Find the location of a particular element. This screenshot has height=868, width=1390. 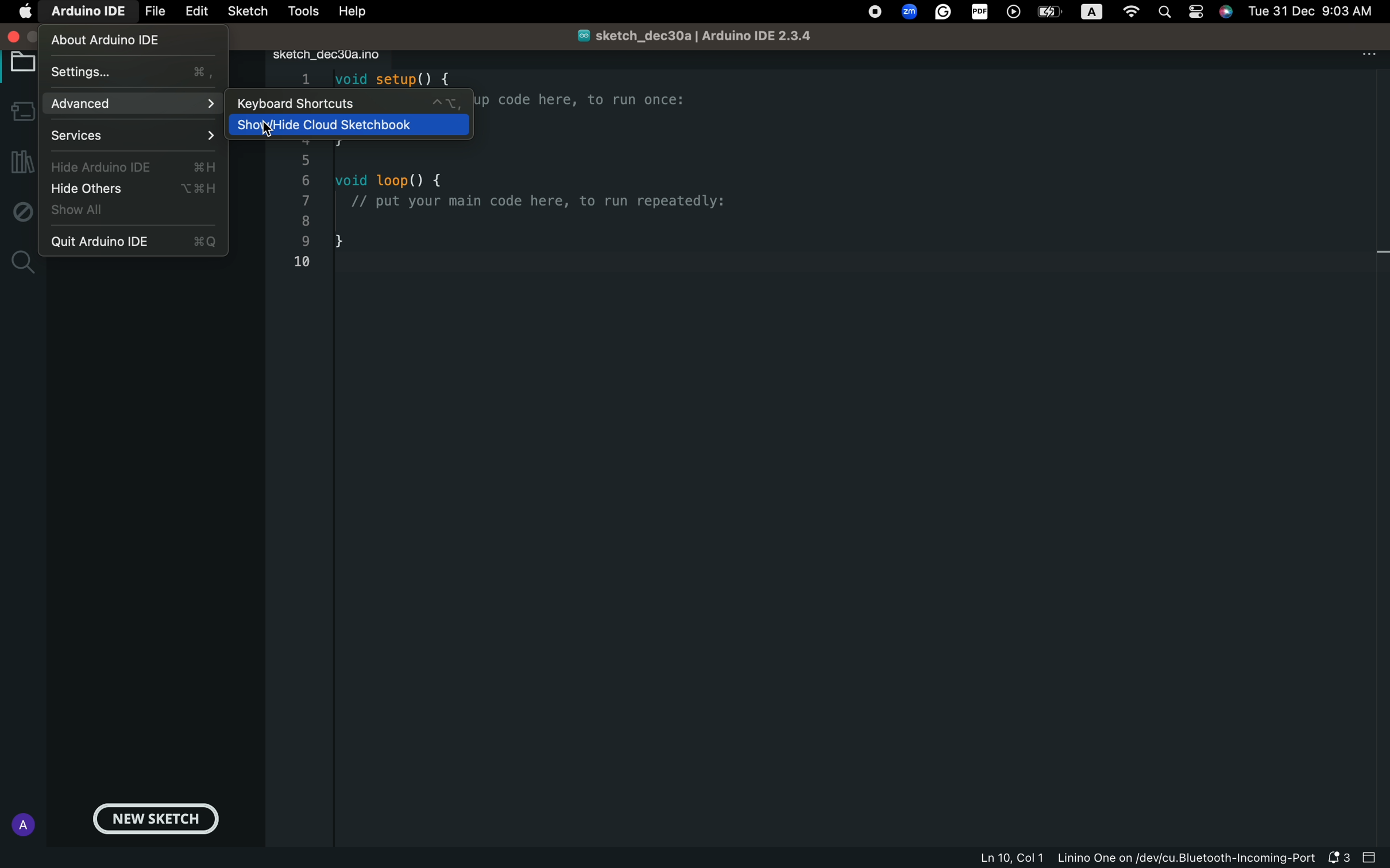

file name is located at coordinates (677, 34).